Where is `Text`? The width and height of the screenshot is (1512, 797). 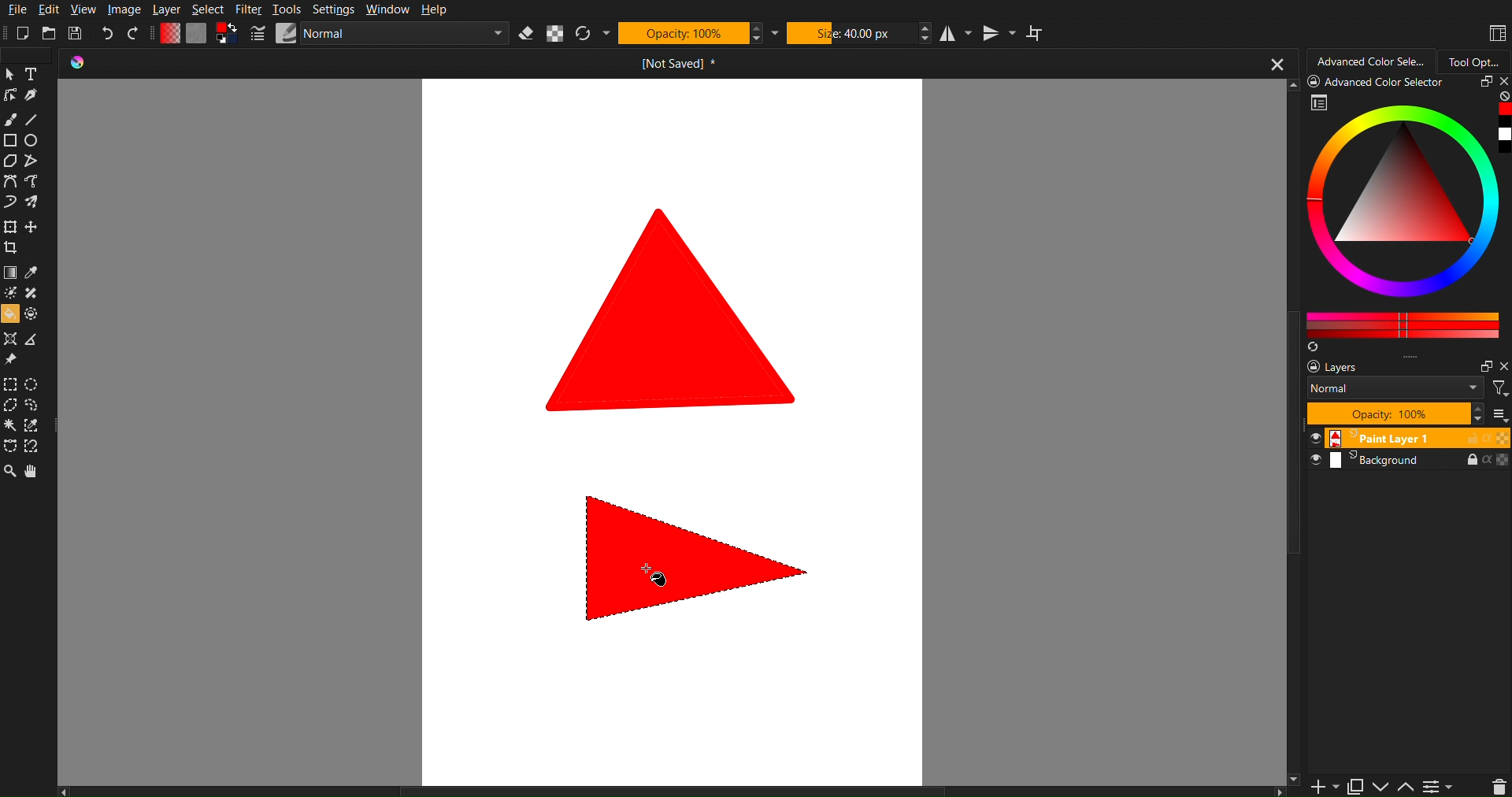
Text is located at coordinates (33, 73).